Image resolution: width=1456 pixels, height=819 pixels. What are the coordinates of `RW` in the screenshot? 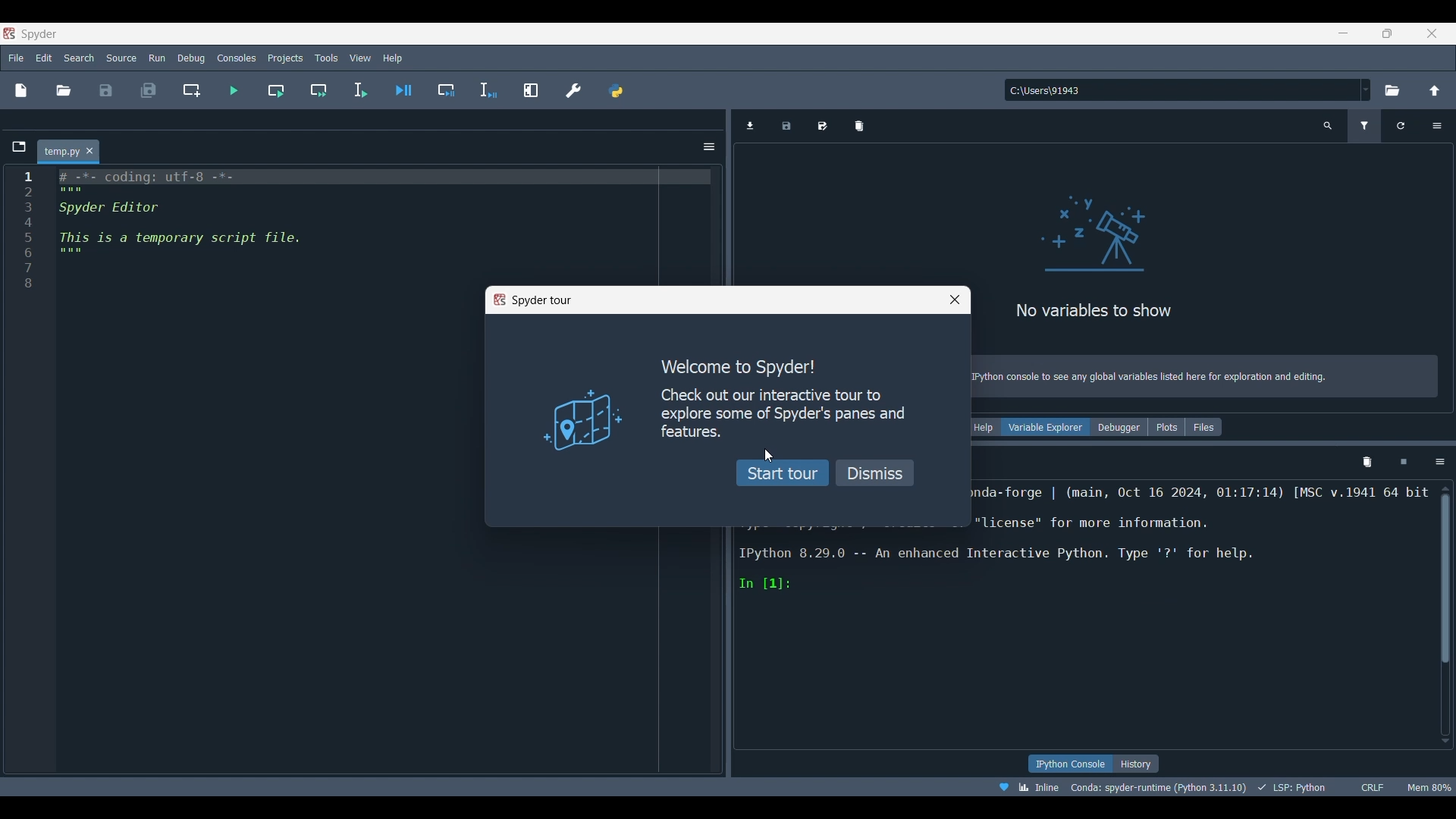 It's located at (1385, 787).